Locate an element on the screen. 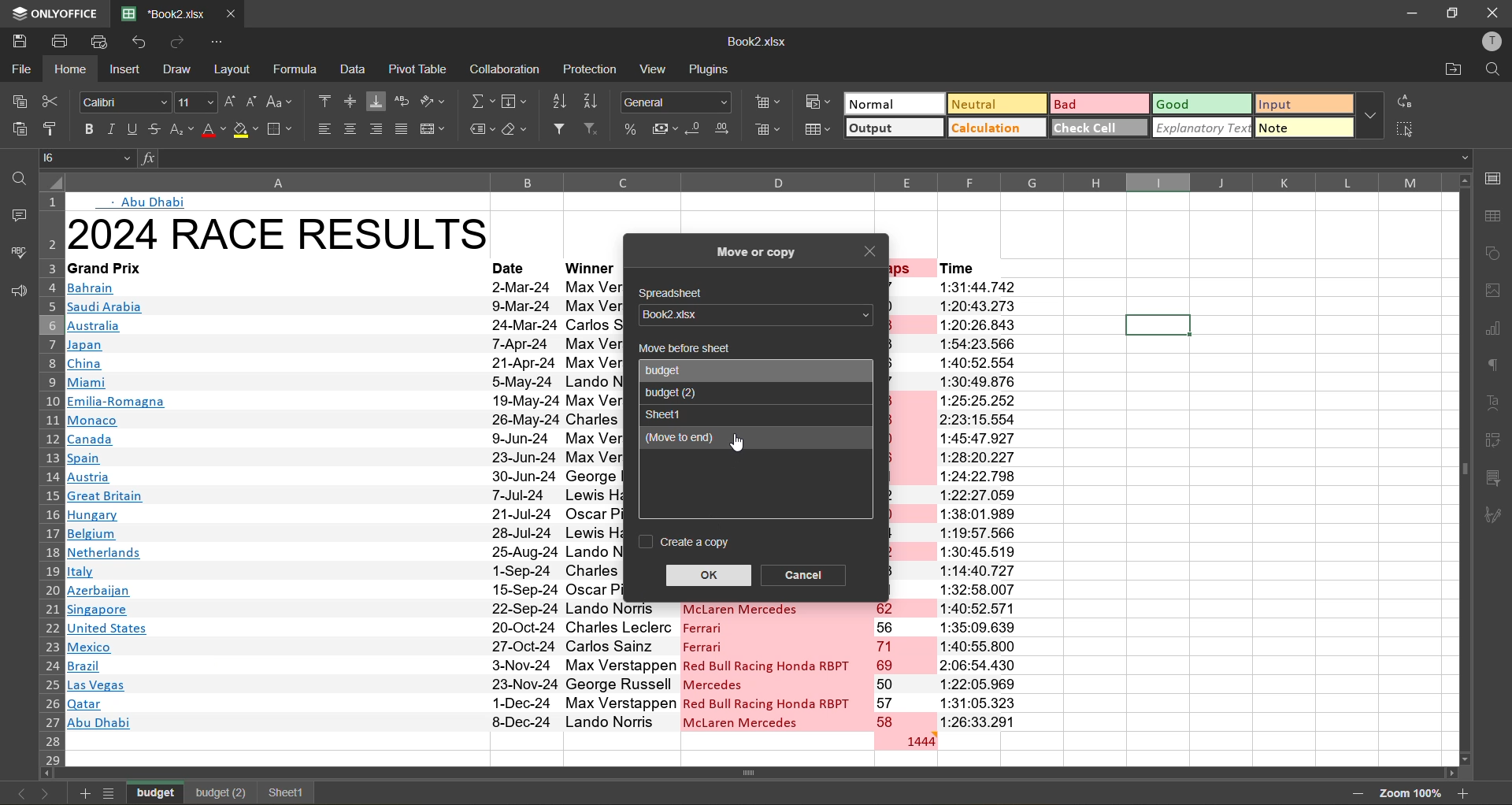  font size is located at coordinates (193, 103).